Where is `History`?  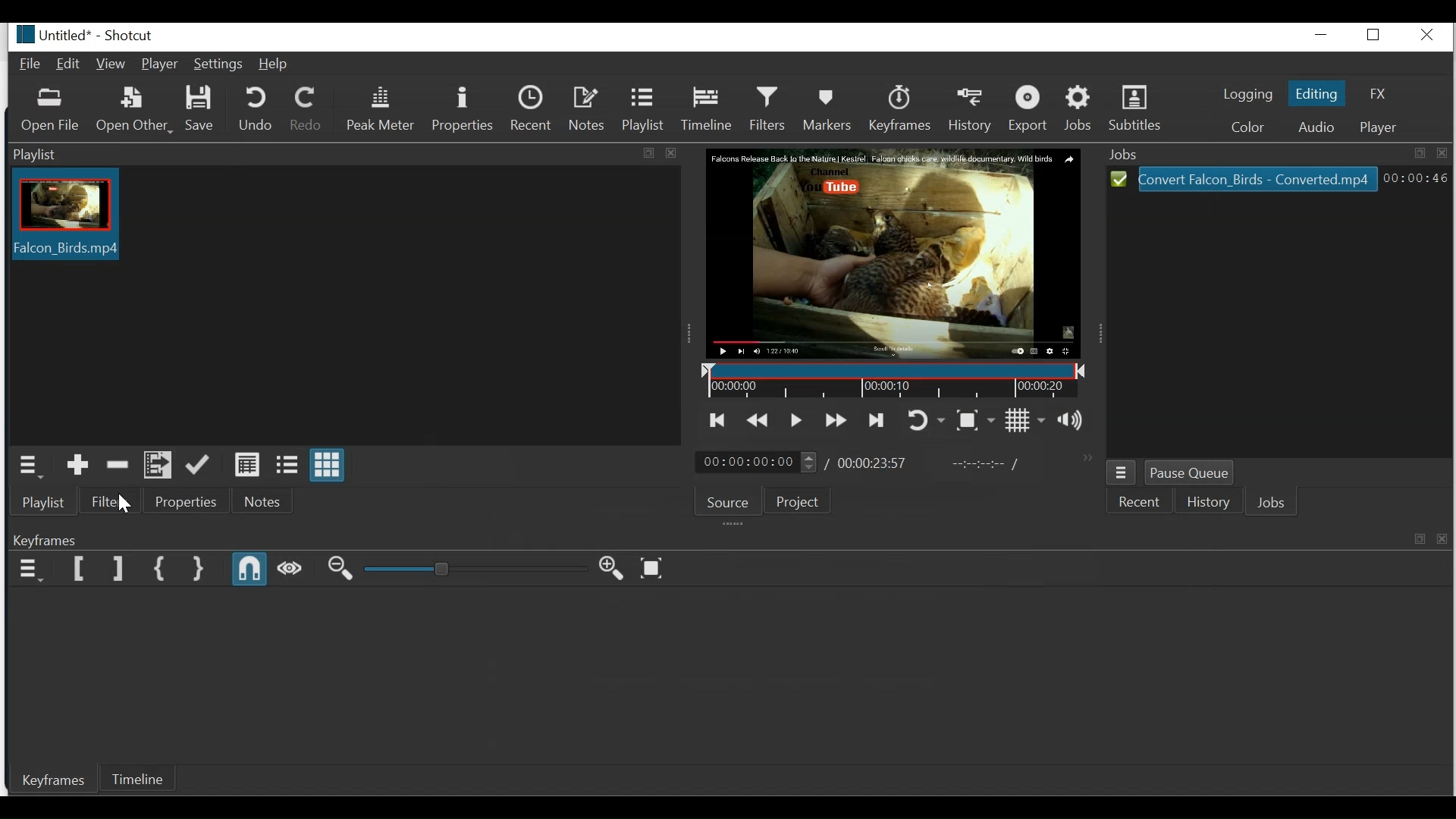
History is located at coordinates (1208, 500).